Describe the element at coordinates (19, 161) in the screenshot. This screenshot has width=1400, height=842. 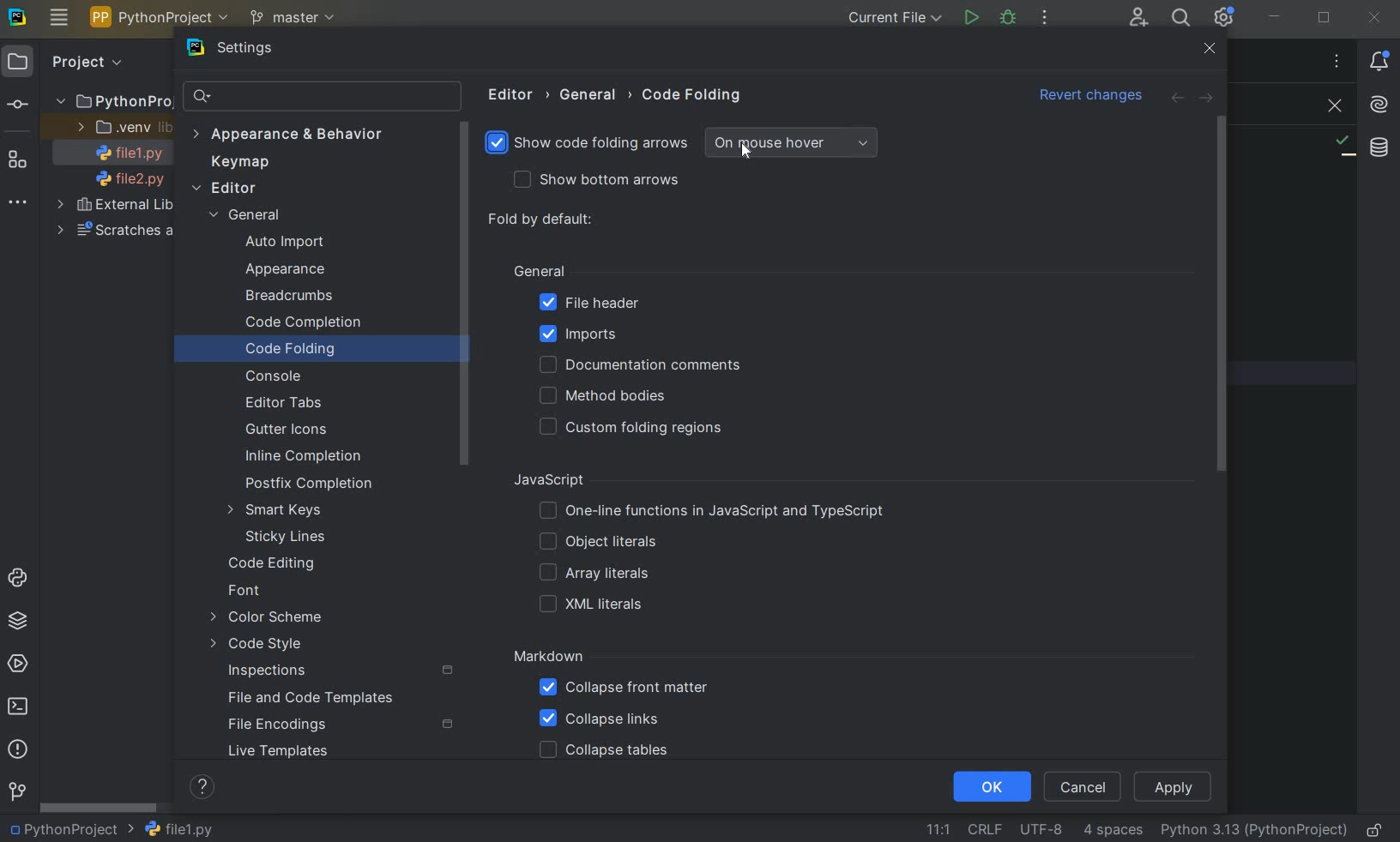
I see `STRUCTURE` at that location.